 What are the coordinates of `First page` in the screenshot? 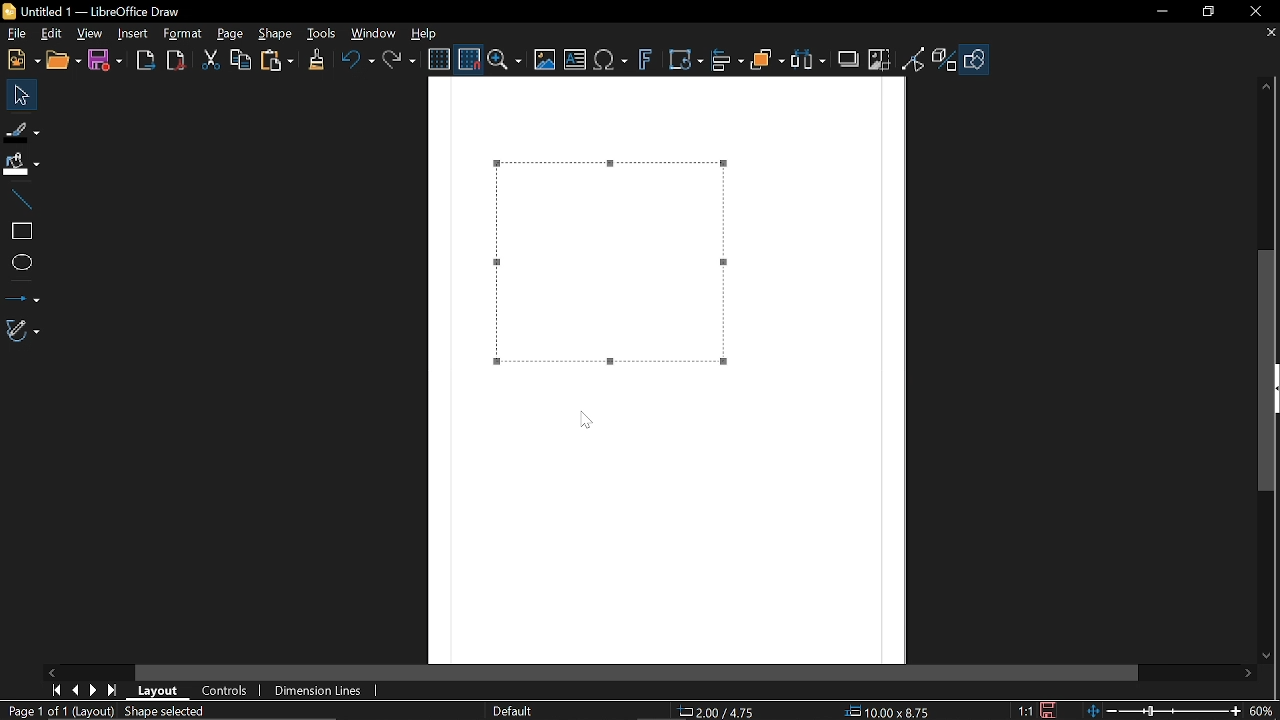 It's located at (57, 690).